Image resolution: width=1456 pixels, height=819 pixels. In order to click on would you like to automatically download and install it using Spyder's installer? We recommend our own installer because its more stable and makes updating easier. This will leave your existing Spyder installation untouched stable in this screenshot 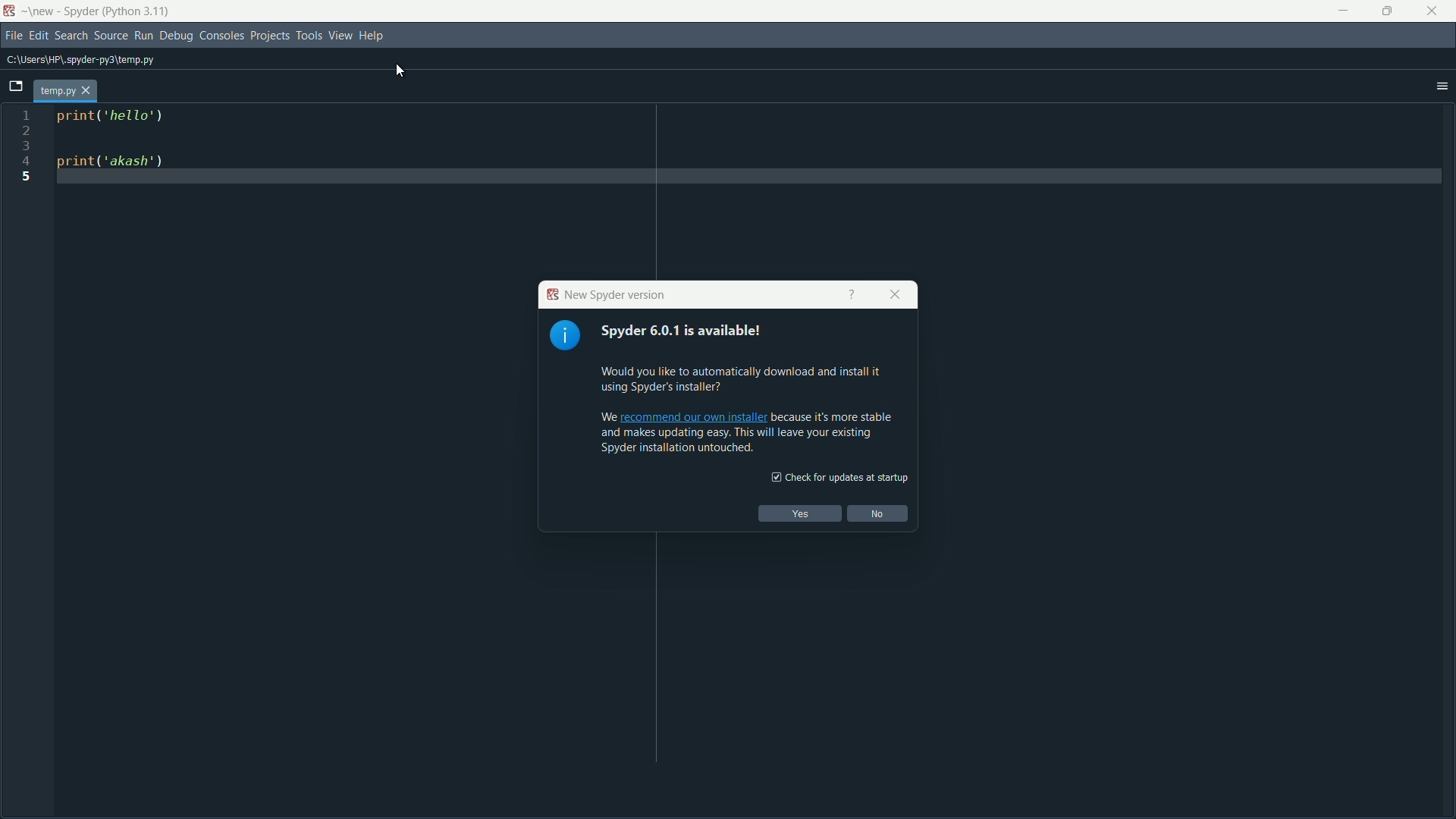, I will do `click(747, 407)`.